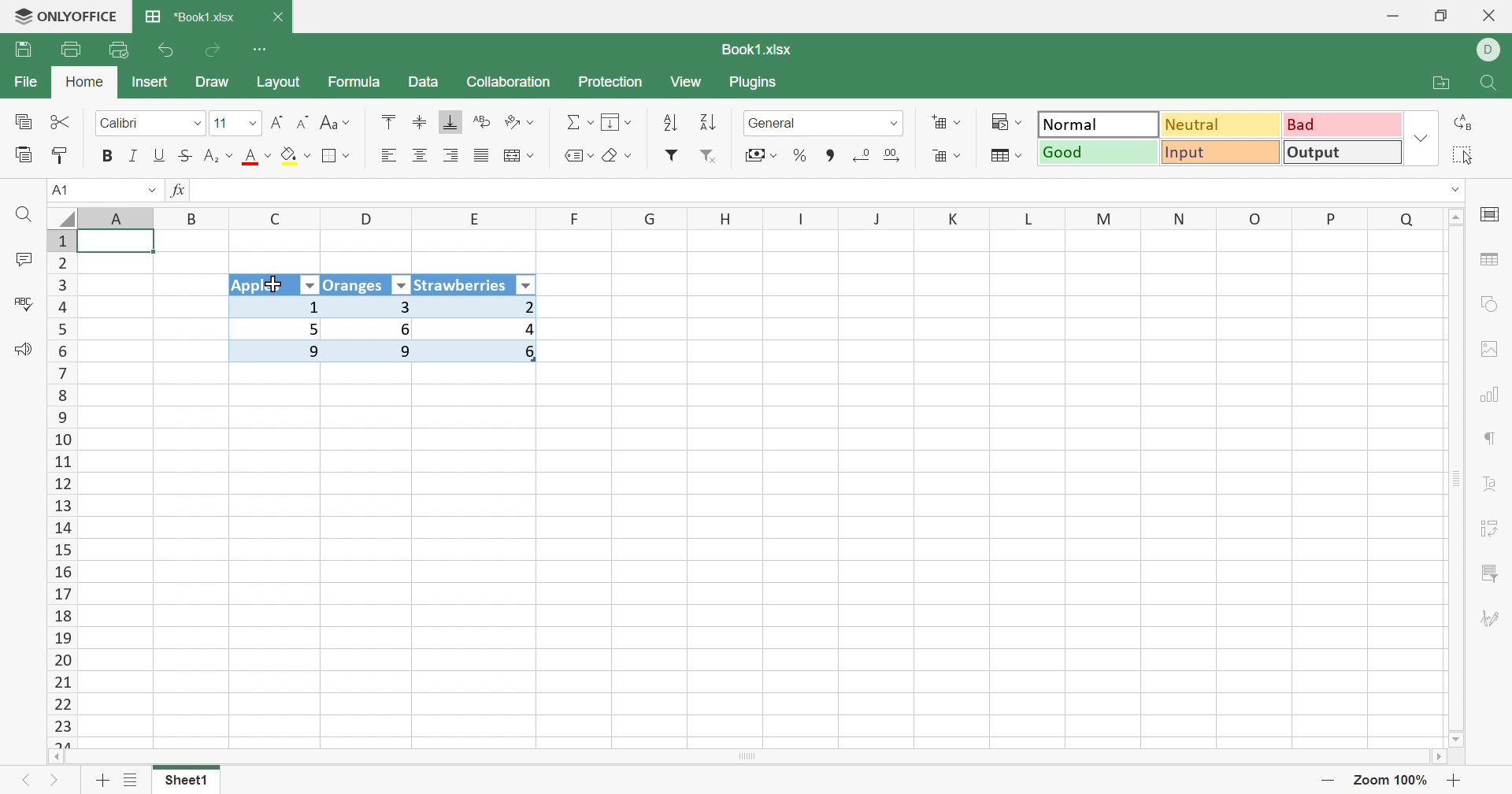 Image resolution: width=1512 pixels, height=794 pixels. Describe the element at coordinates (353, 84) in the screenshot. I see `Formula` at that location.